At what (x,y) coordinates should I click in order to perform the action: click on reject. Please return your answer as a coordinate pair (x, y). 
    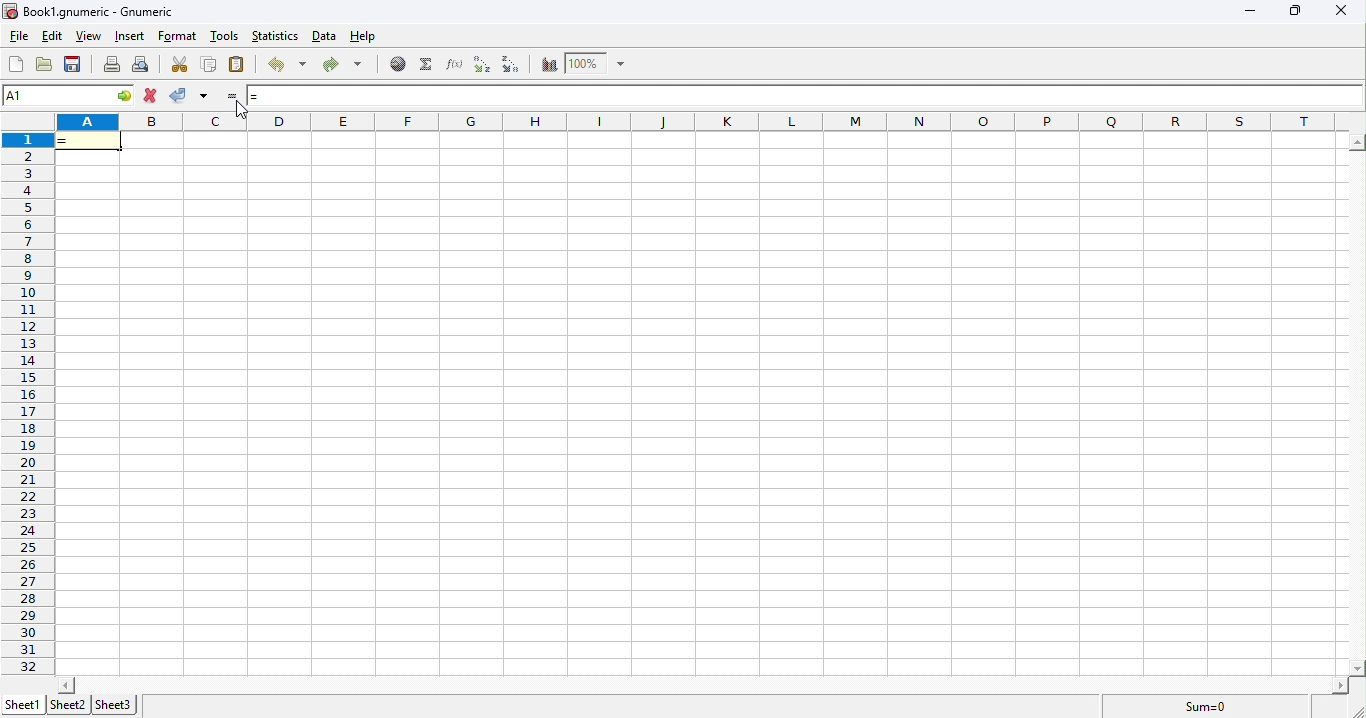
    Looking at the image, I should click on (153, 96).